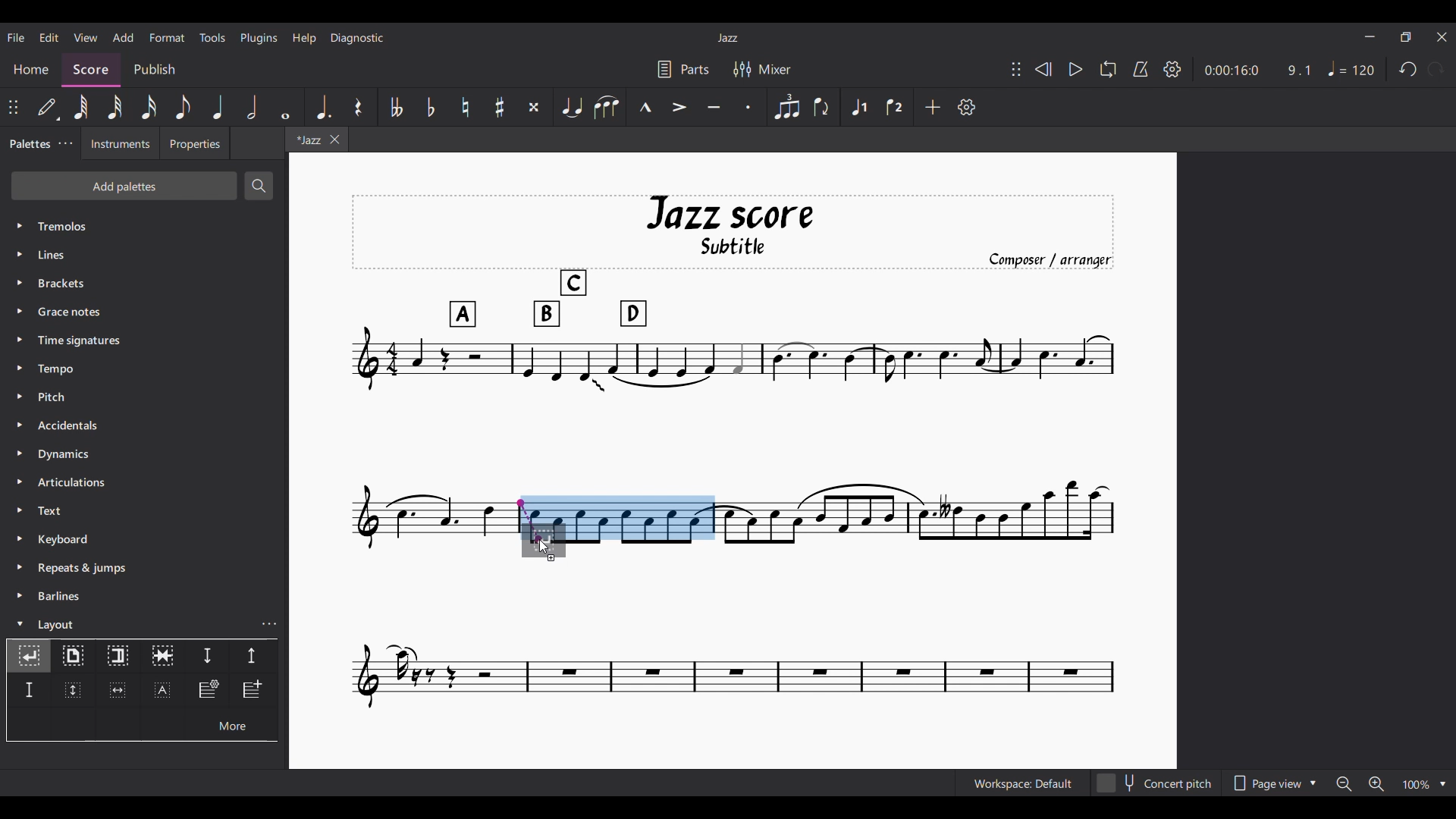 This screenshot has width=1456, height=819. Describe the element at coordinates (733, 344) in the screenshot. I see `Current score` at that location.